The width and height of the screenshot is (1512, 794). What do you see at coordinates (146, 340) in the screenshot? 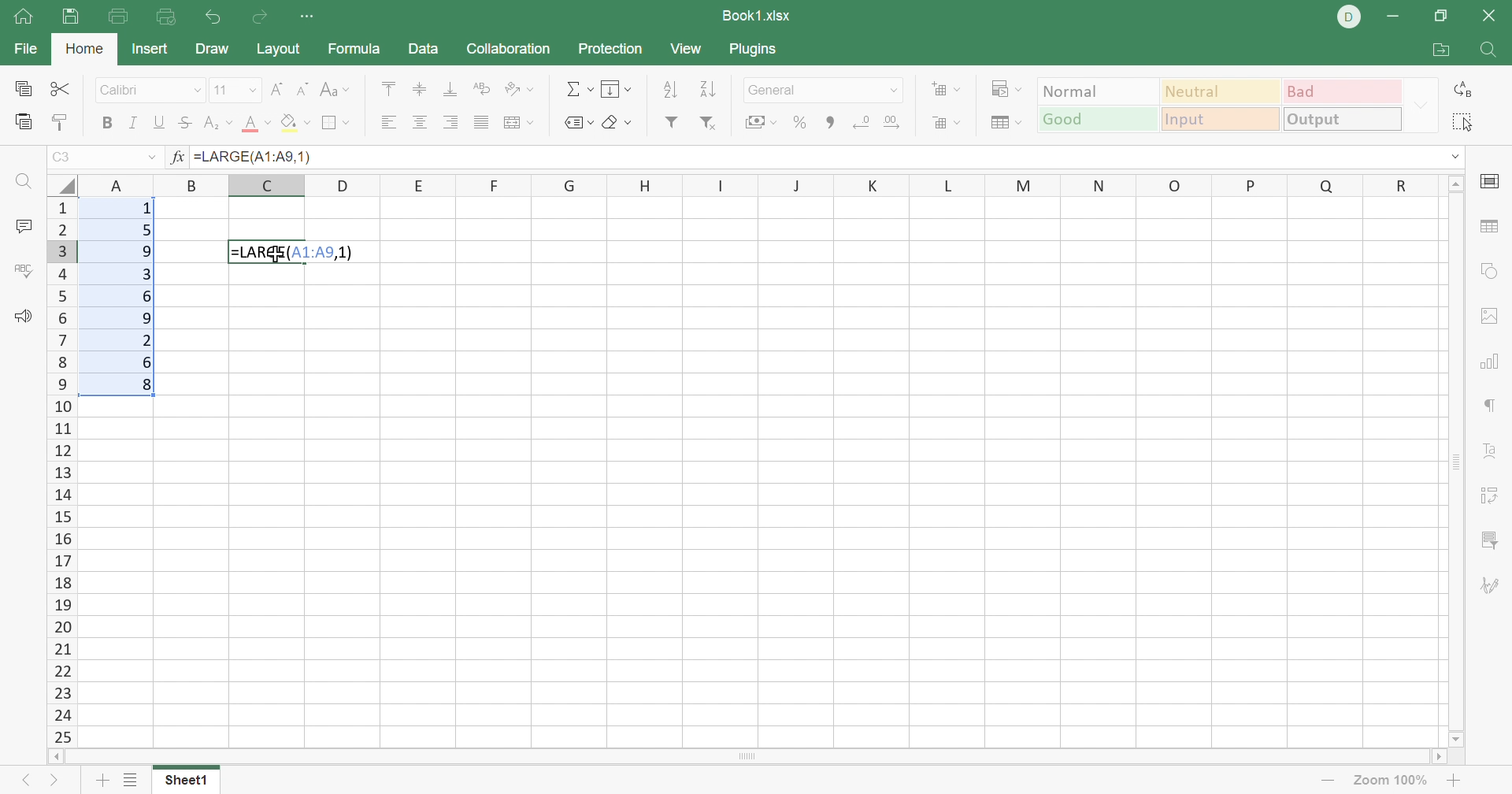
I see `2` at bounding box center [146, 340].